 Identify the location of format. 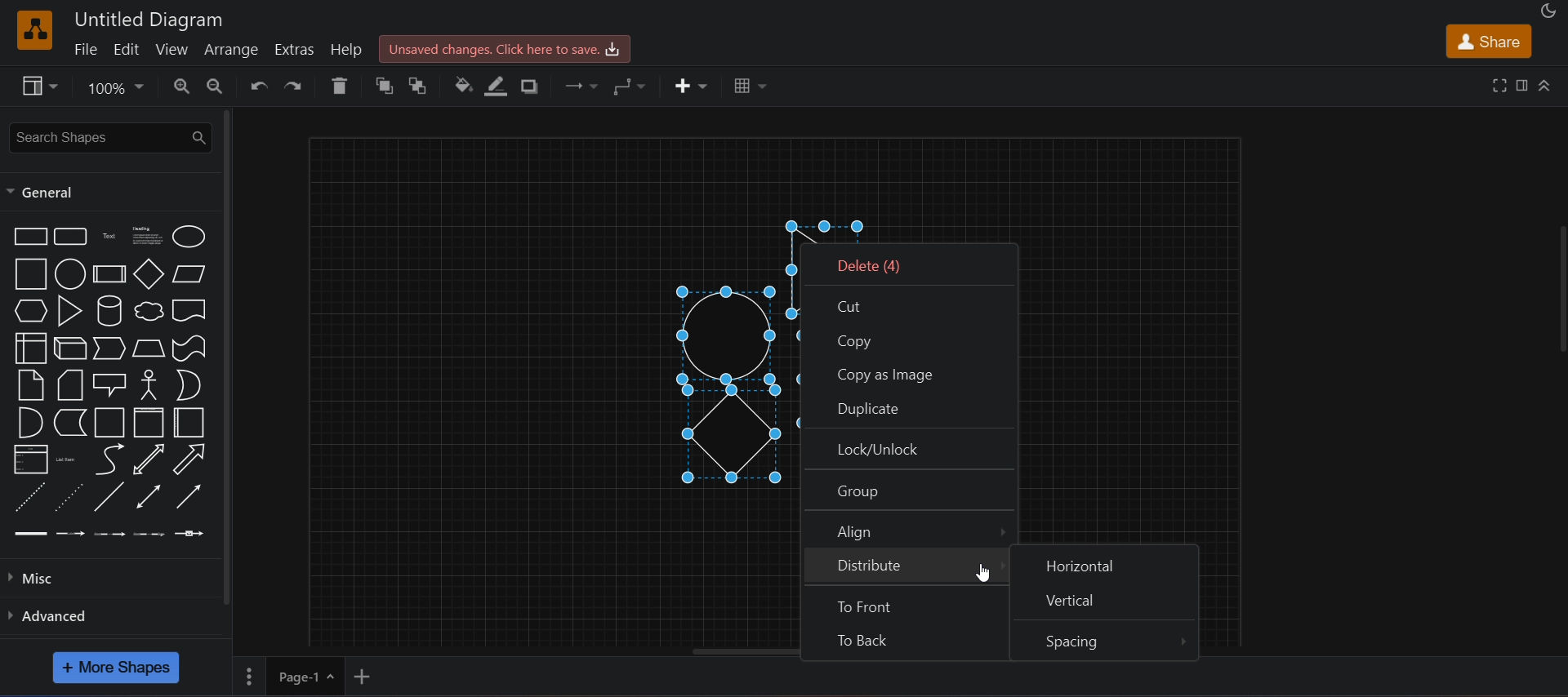
(1522, 85).